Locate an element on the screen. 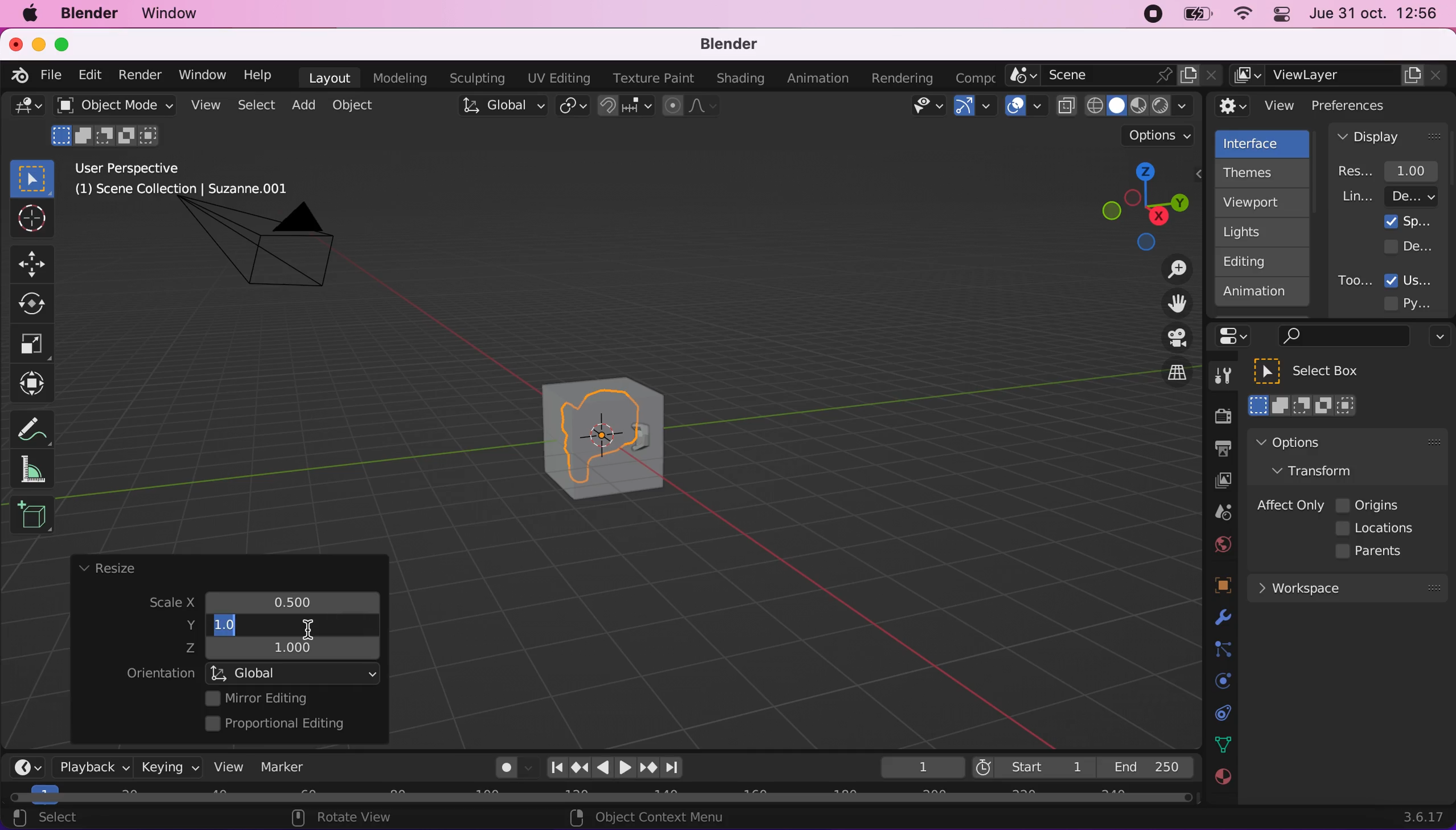  select box is located at coordinates (32, 178).